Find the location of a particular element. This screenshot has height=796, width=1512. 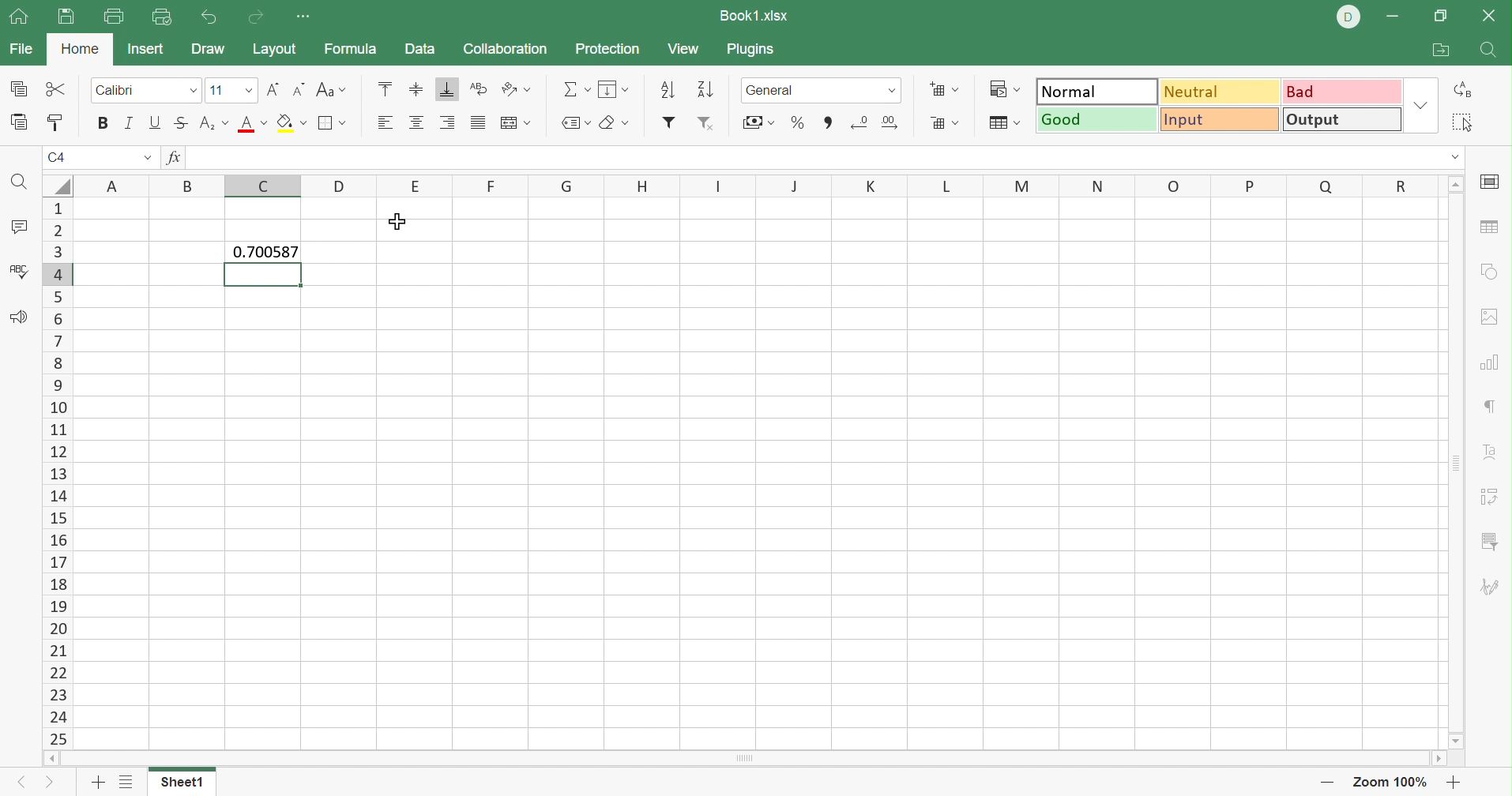

Decrease decimal is located at coordinates (860, 120).